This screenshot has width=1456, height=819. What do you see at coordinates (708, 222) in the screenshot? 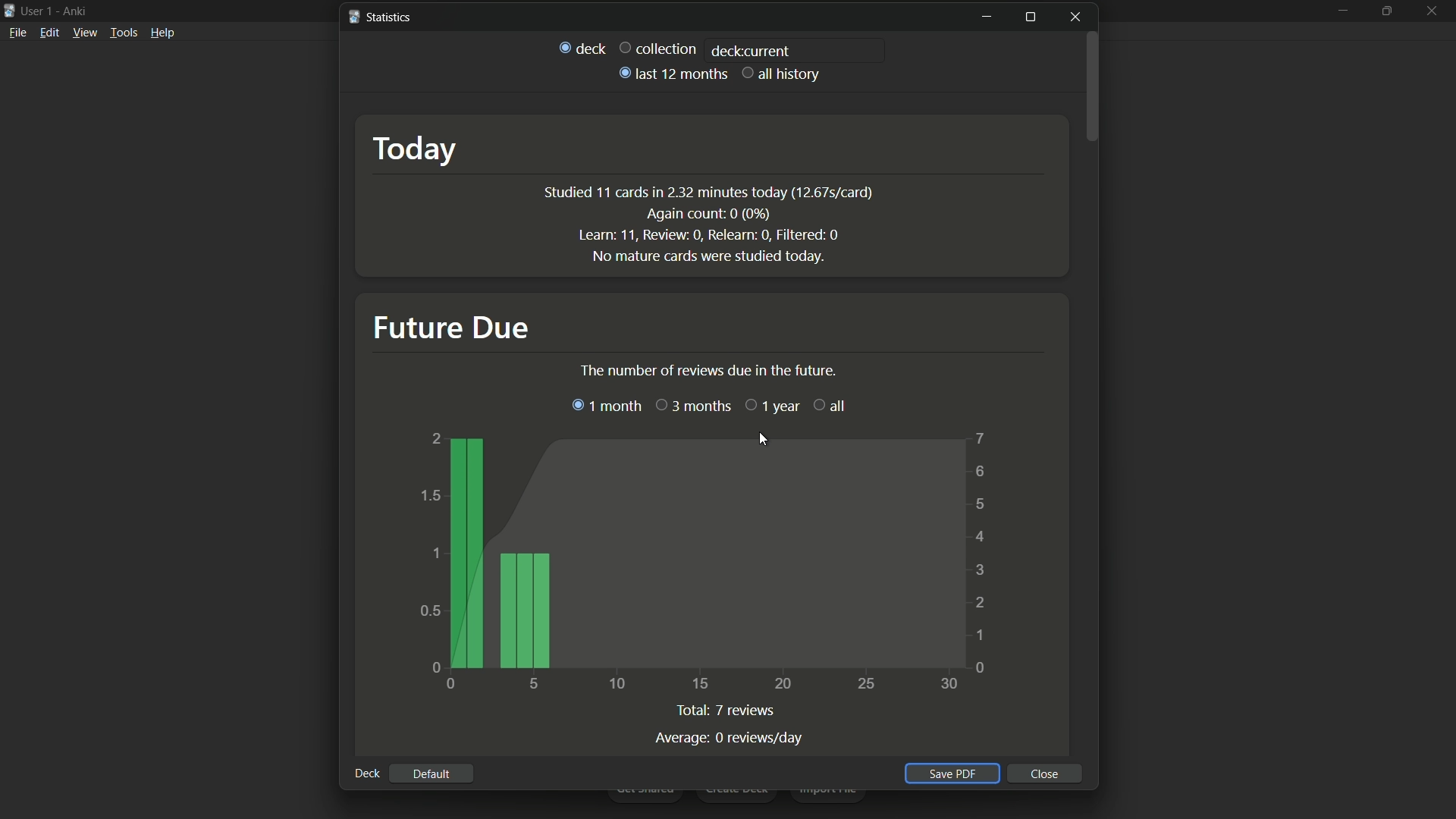
I see `text for cards data` at bounding box center [708, 222].